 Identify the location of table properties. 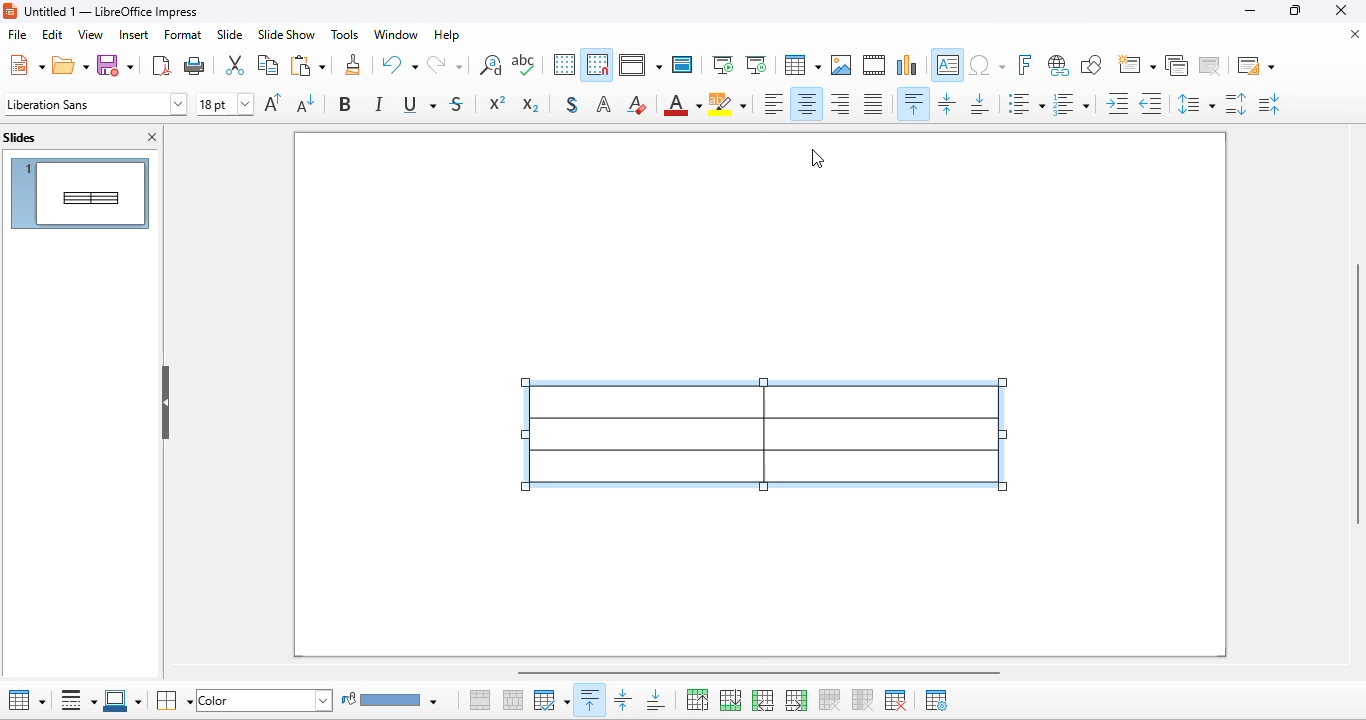
(936, 699).